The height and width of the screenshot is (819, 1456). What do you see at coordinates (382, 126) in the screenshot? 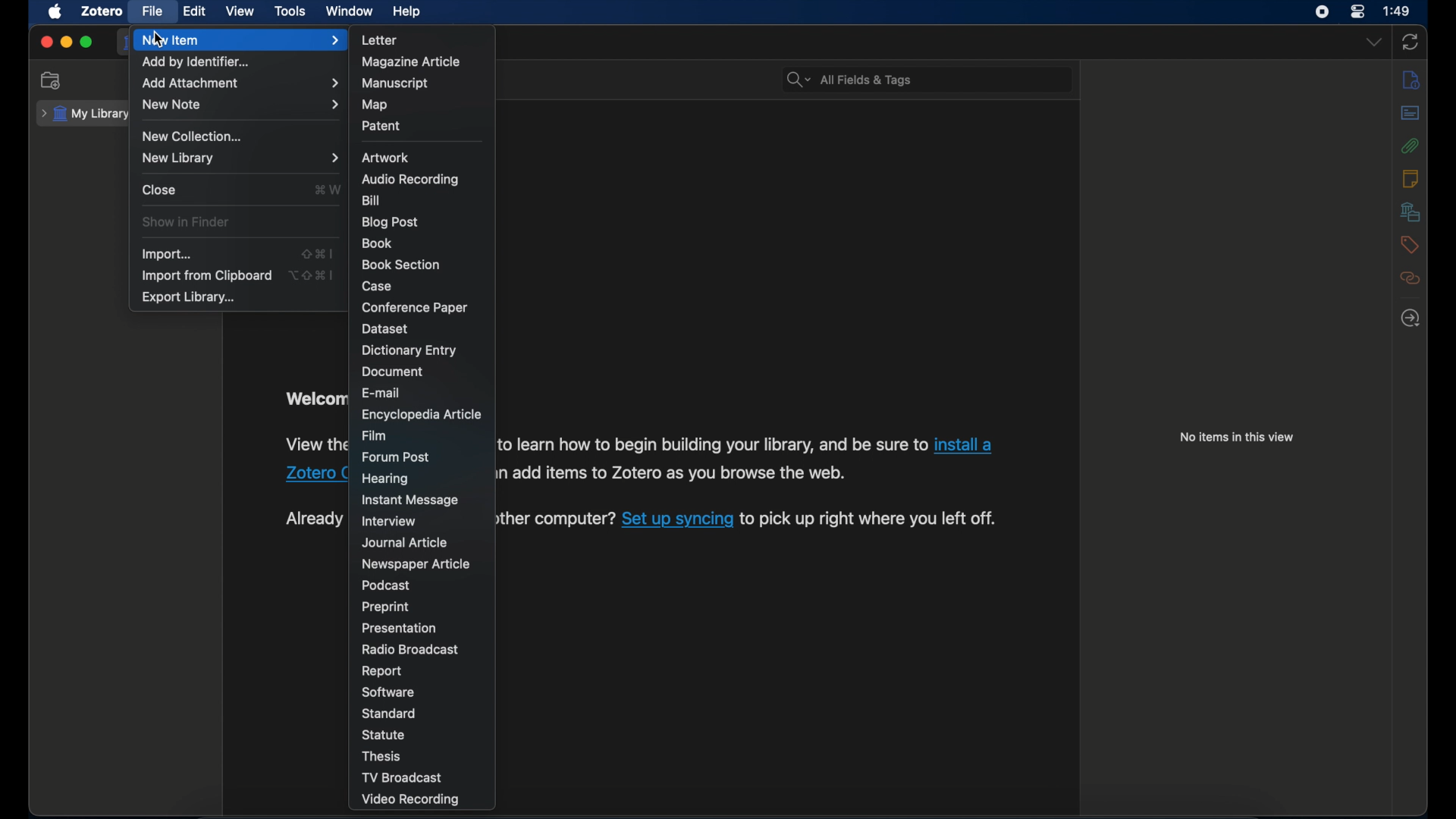
I see `patent` at bounding box center [382, 126].